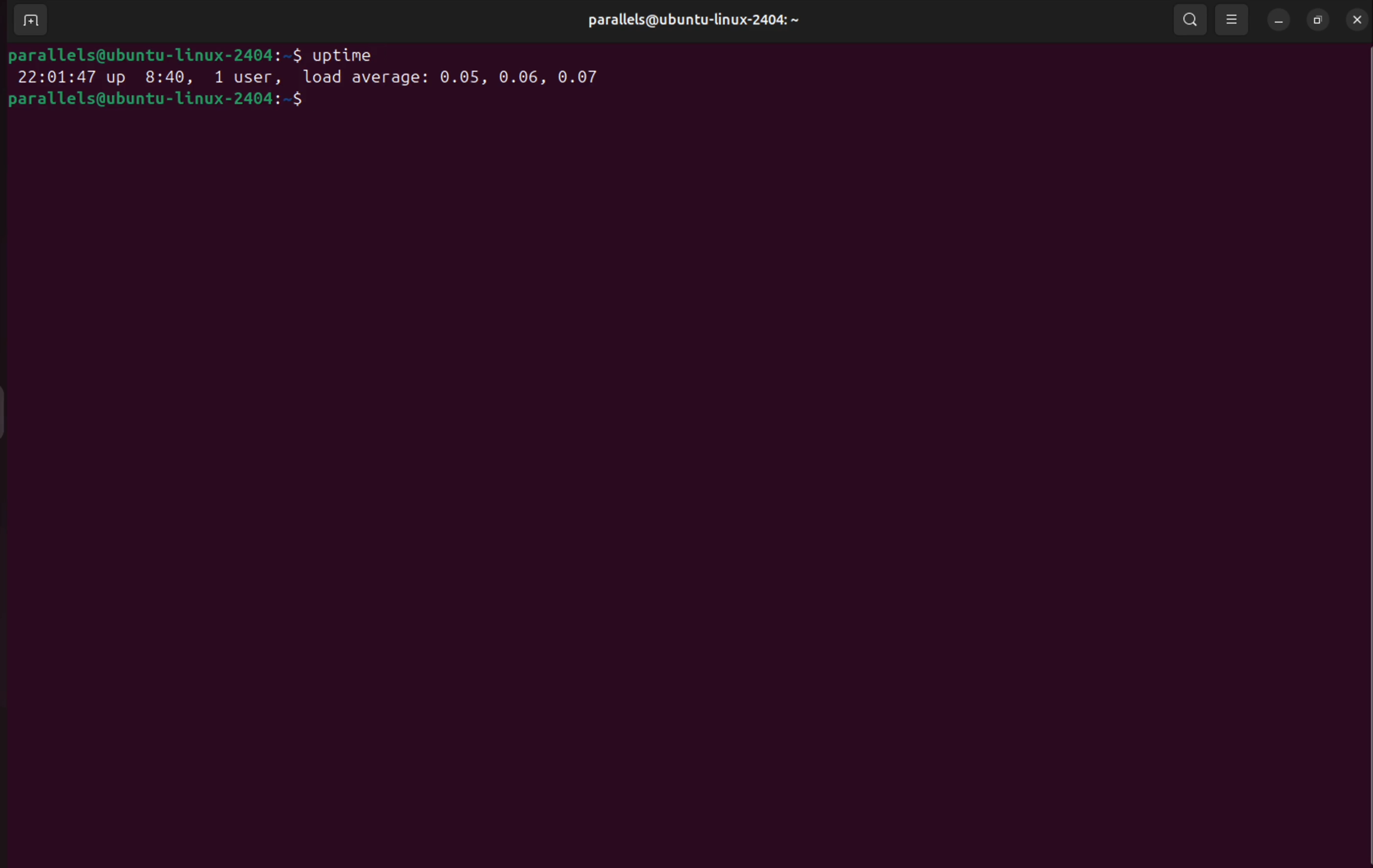 The height and width of the screenshot is (868, 1373). What do you see at coordinates (1363, 425) in the screenshot?
I see `Scrollbar` at bounding box center [1363, 425].